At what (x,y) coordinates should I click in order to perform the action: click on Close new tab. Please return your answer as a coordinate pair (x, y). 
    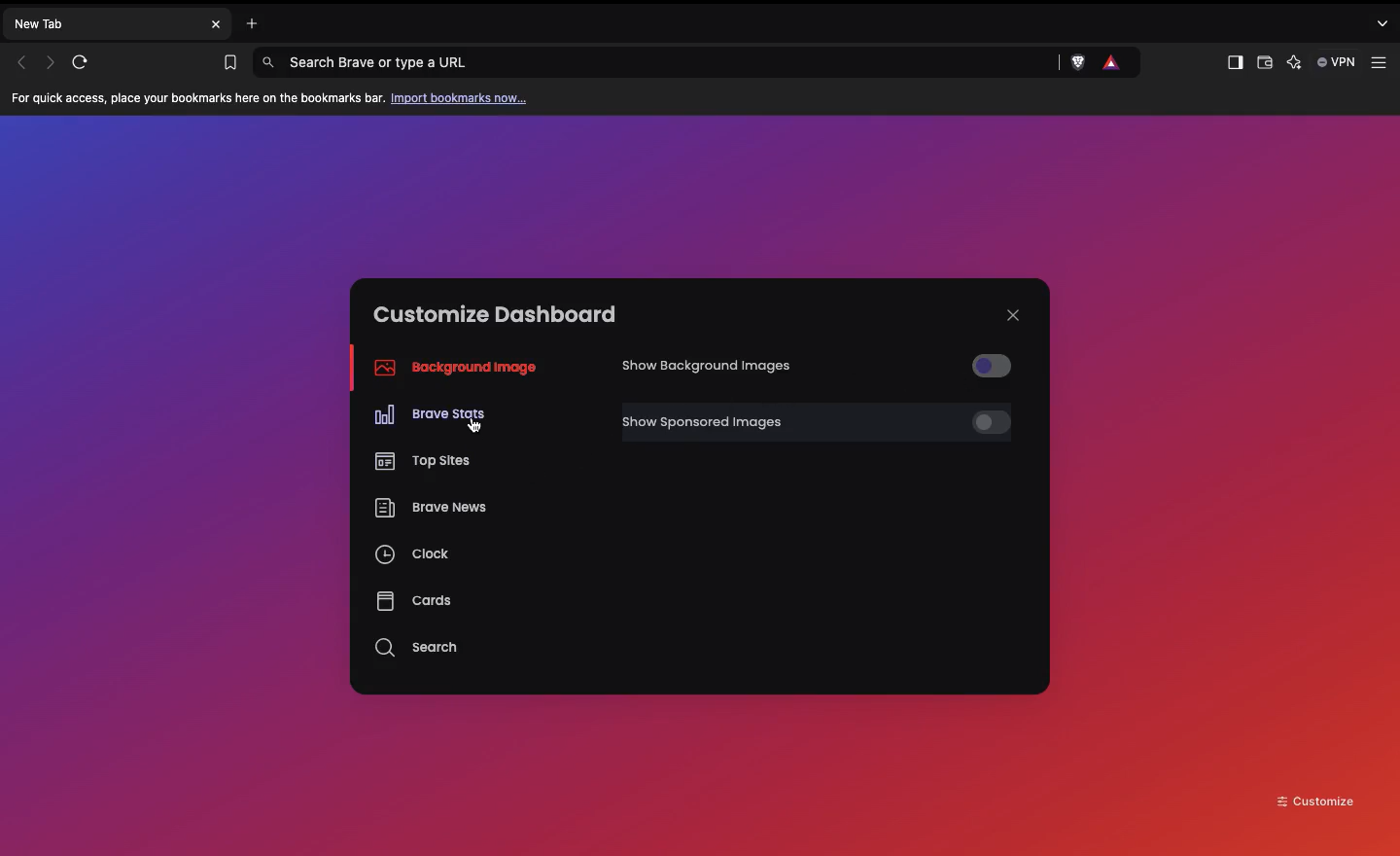
    Looking at the image, I should click on (216, 24).